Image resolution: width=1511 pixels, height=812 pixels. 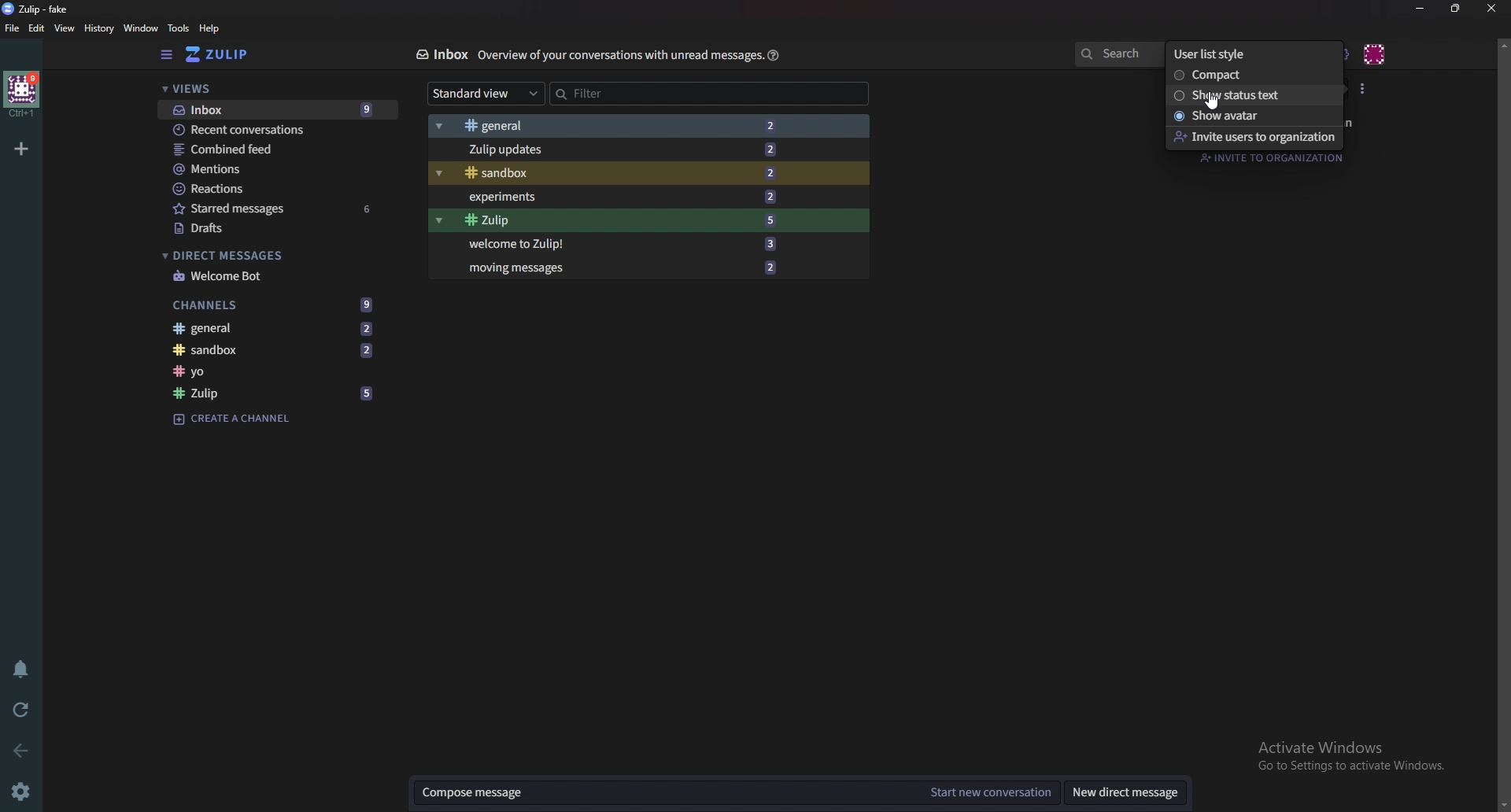 What do you see at coordinates (266, 168) in the screenshot?
I see `Mentions` at bounding box center [266, 168].